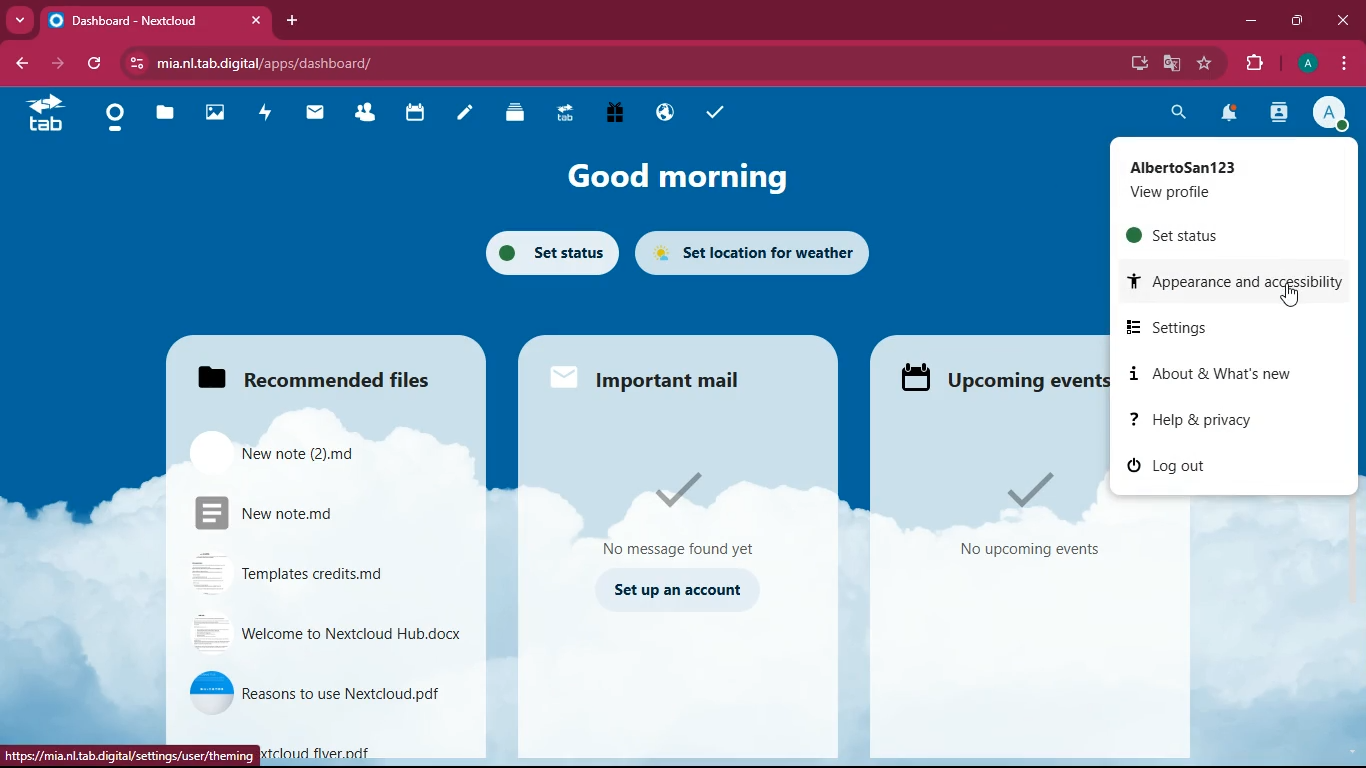 This screenshot has height=768, width=1366. I want to click on pointing cursor, so click(1289, 295).